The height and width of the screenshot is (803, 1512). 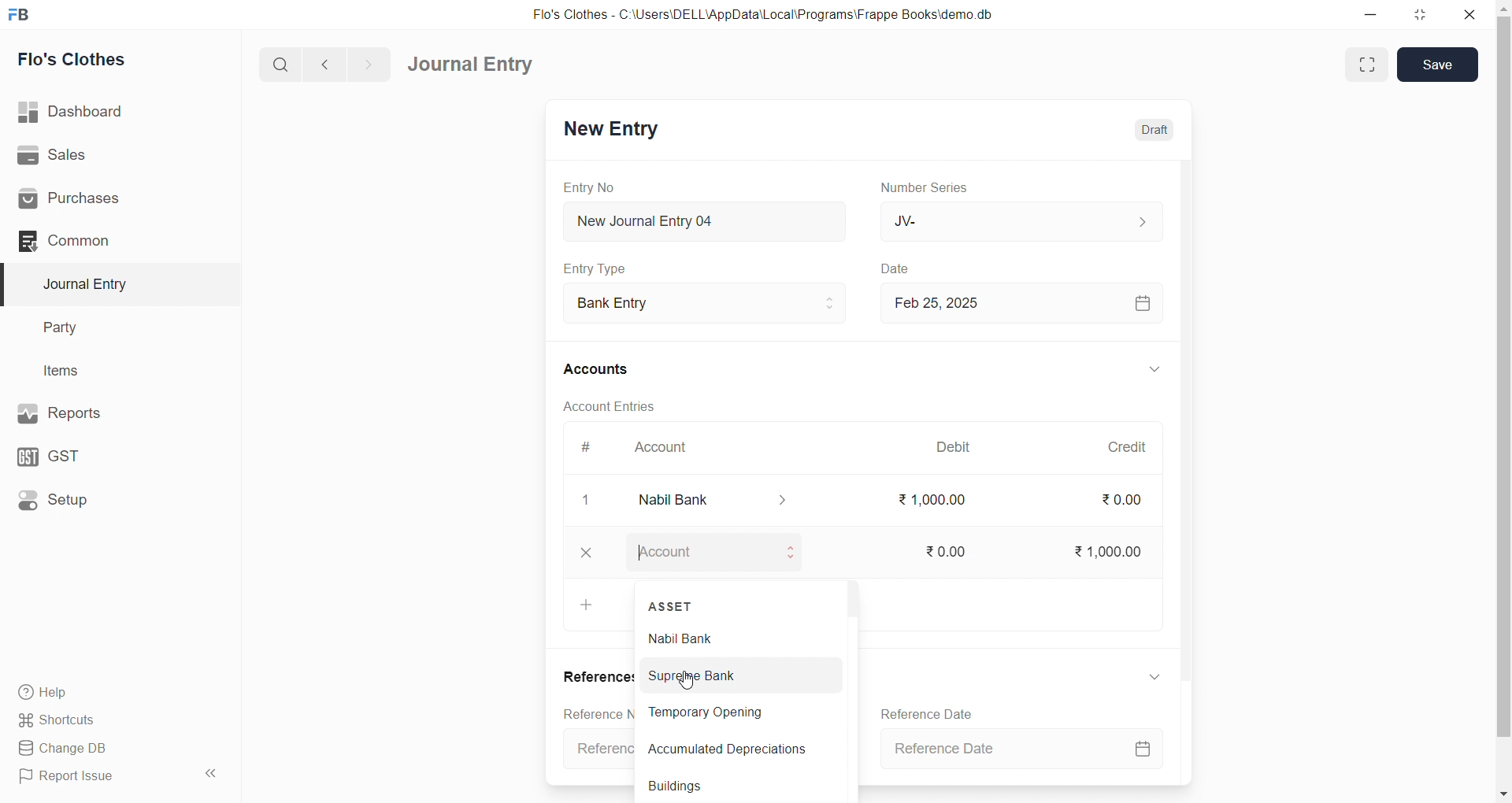 What do you see at coordinates (665, 450) in the screenshot?
I see `Account` at bounding box center [665, 450].